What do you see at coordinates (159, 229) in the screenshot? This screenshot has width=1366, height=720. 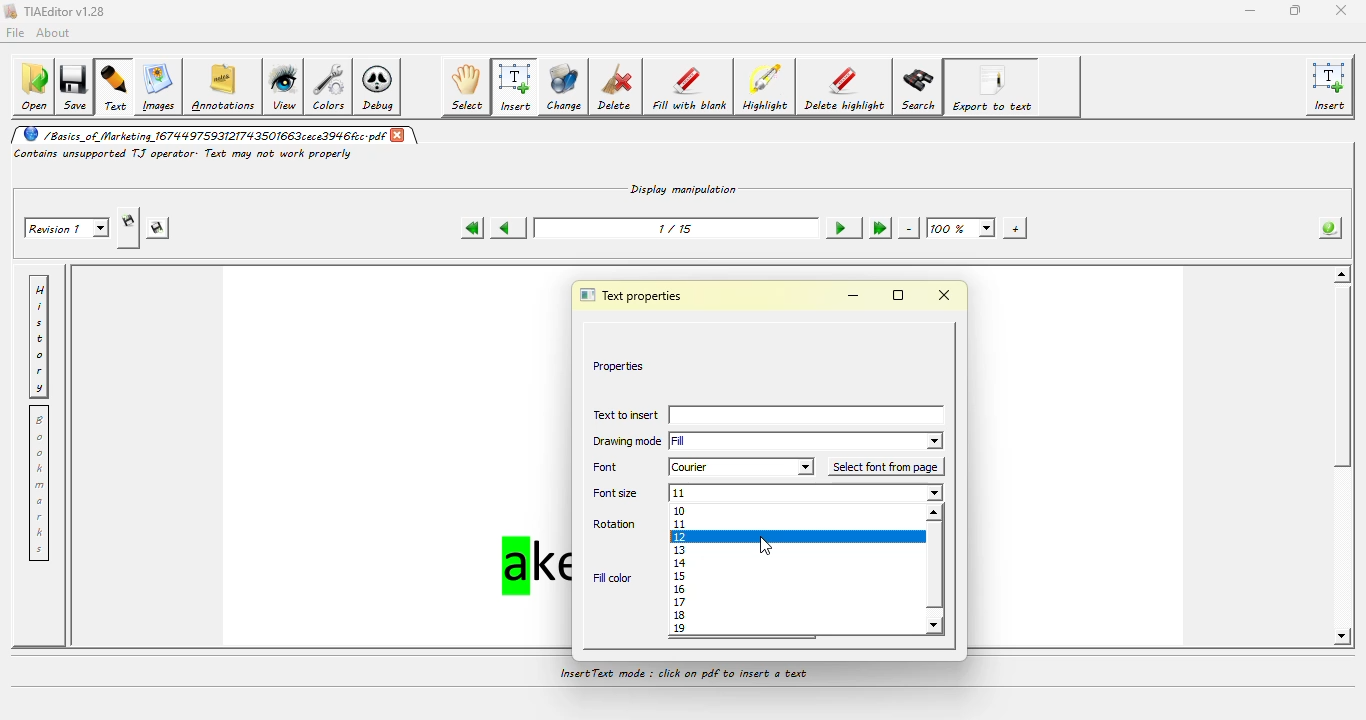 I see `saves this revision` at bounding box center [159, 229].